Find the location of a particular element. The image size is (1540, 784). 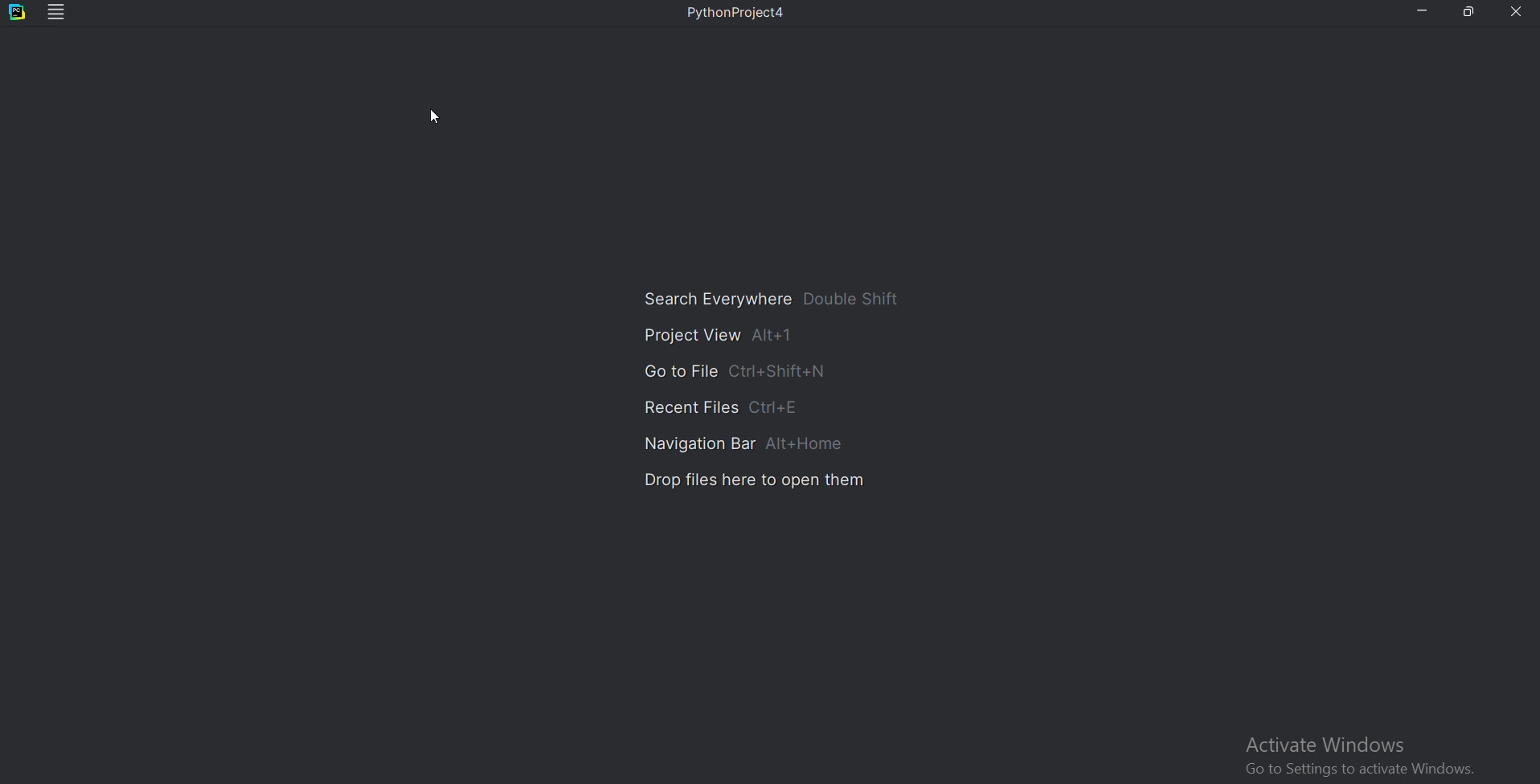

cross is located at coordinates (1517, 13).